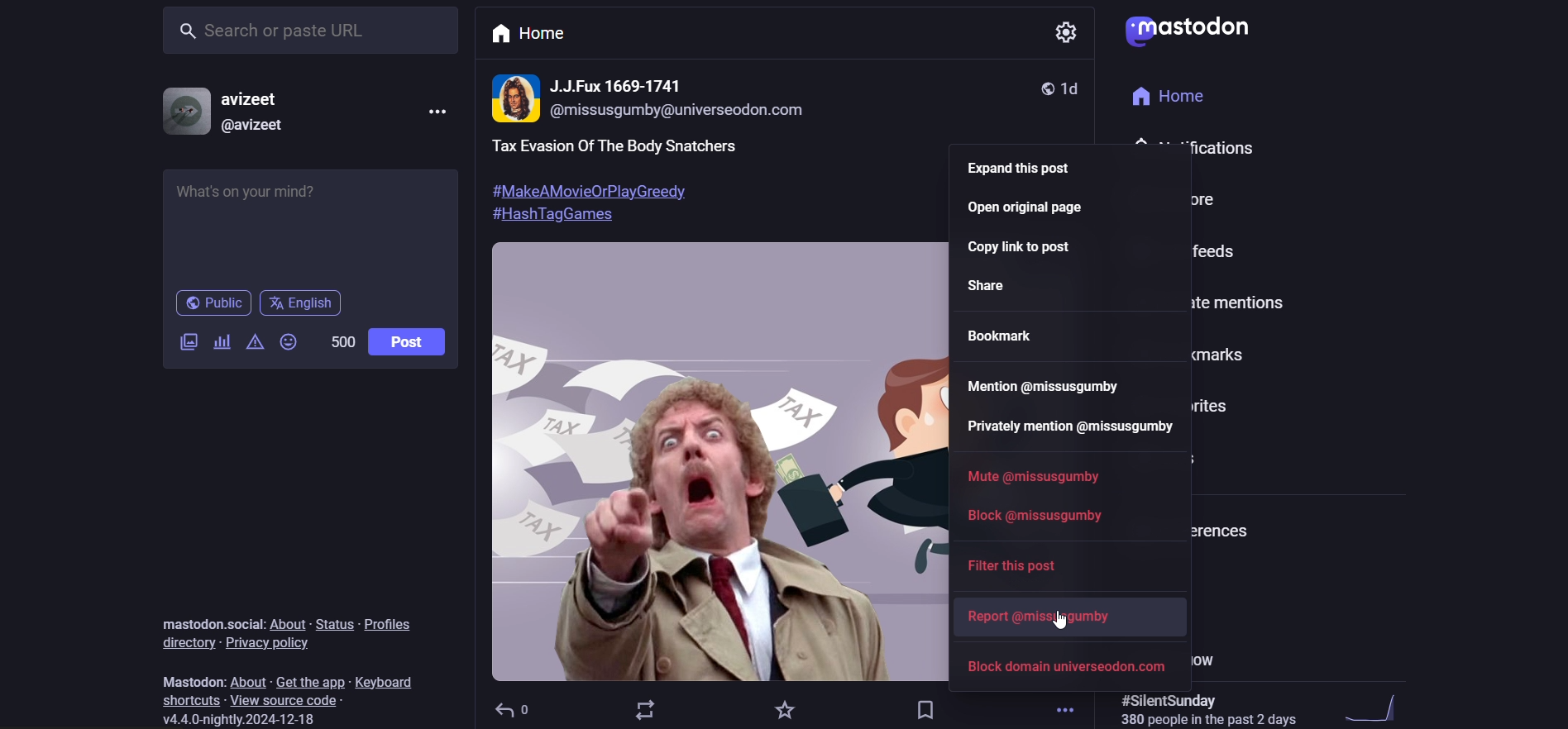  I want to click on public, so click(214, 303).